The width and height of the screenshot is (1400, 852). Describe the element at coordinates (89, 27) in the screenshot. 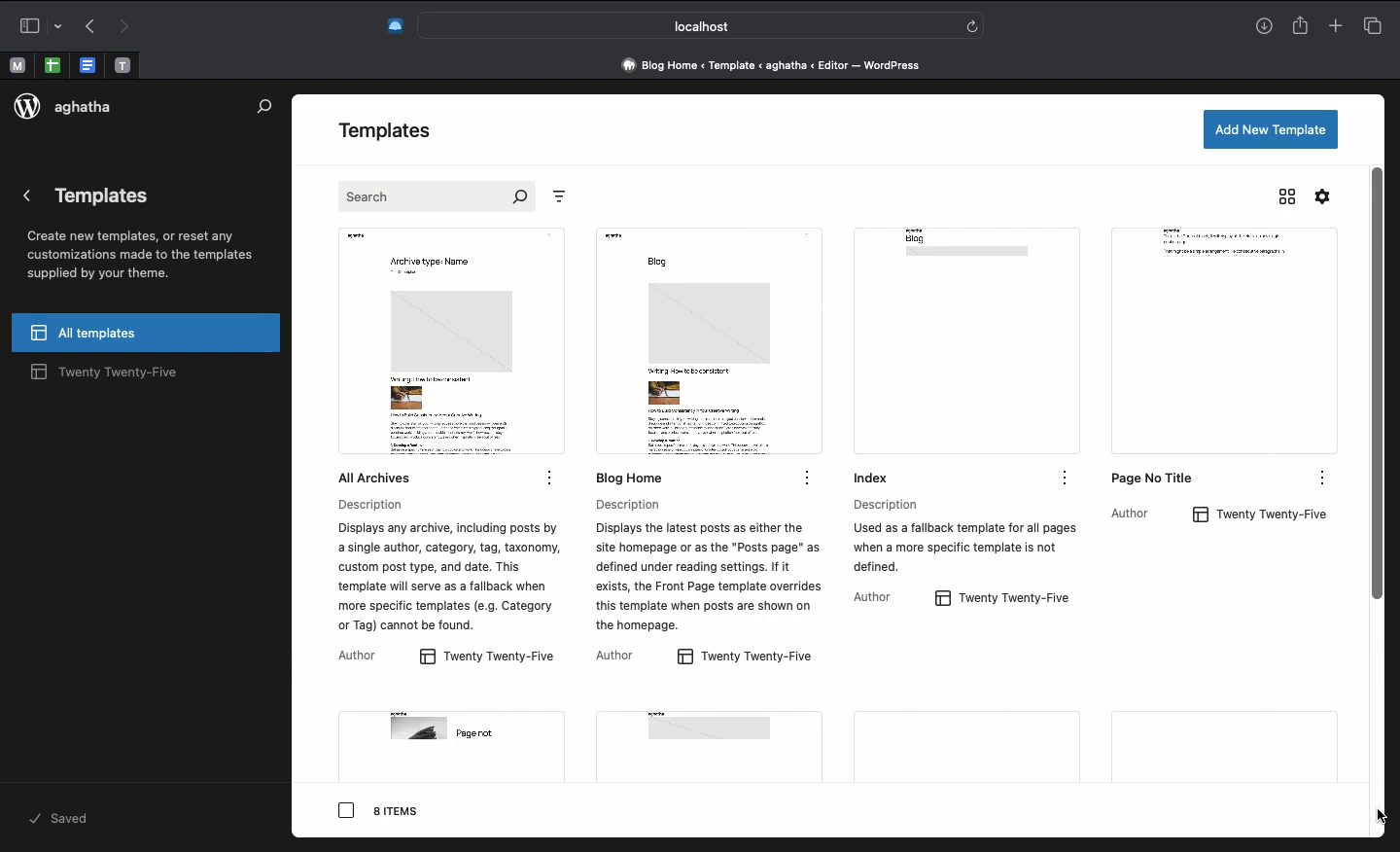

I see `Back` at that location.